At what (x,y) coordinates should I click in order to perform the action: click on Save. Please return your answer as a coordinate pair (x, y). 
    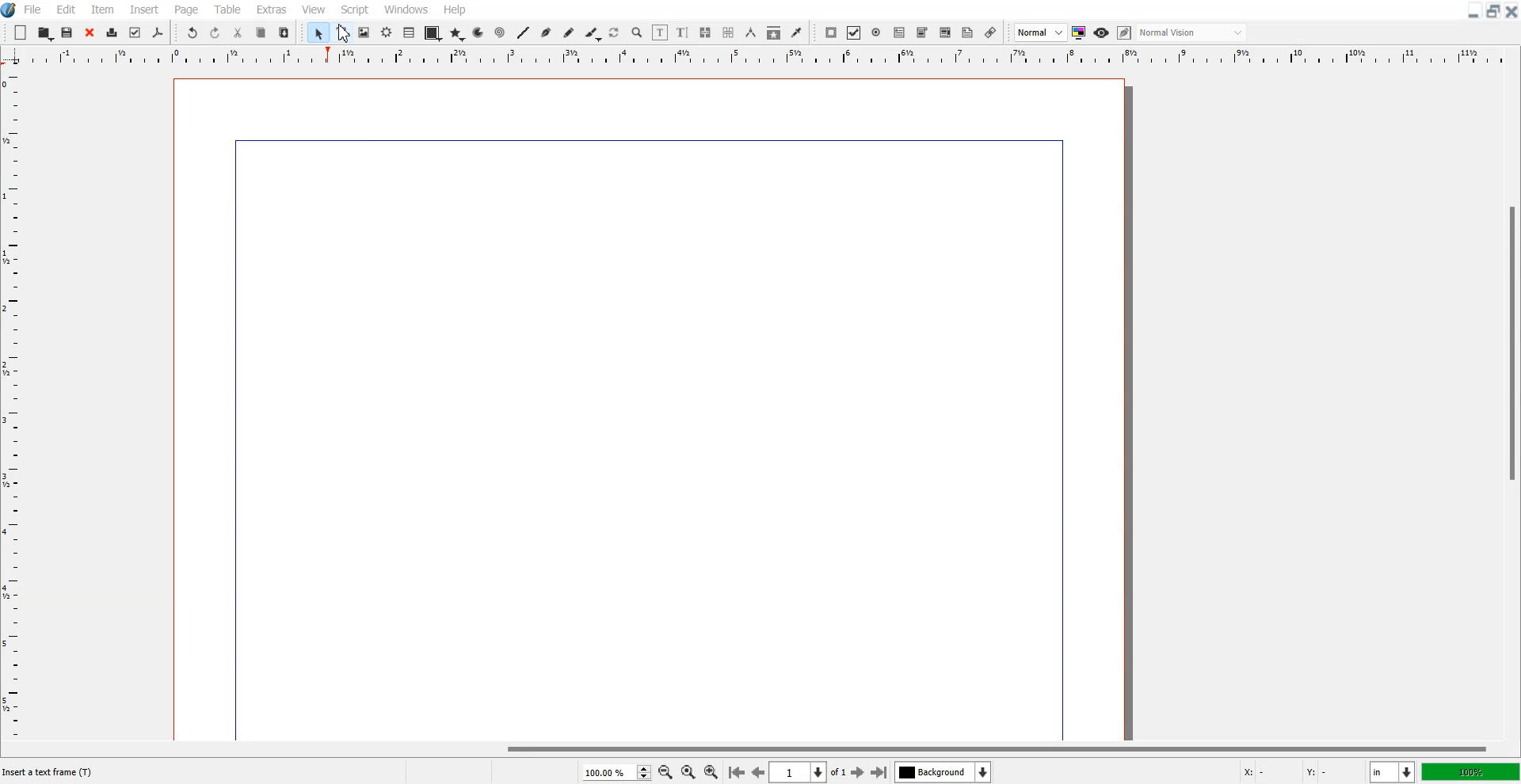
    Looking at the image, I should click on (68, 32).